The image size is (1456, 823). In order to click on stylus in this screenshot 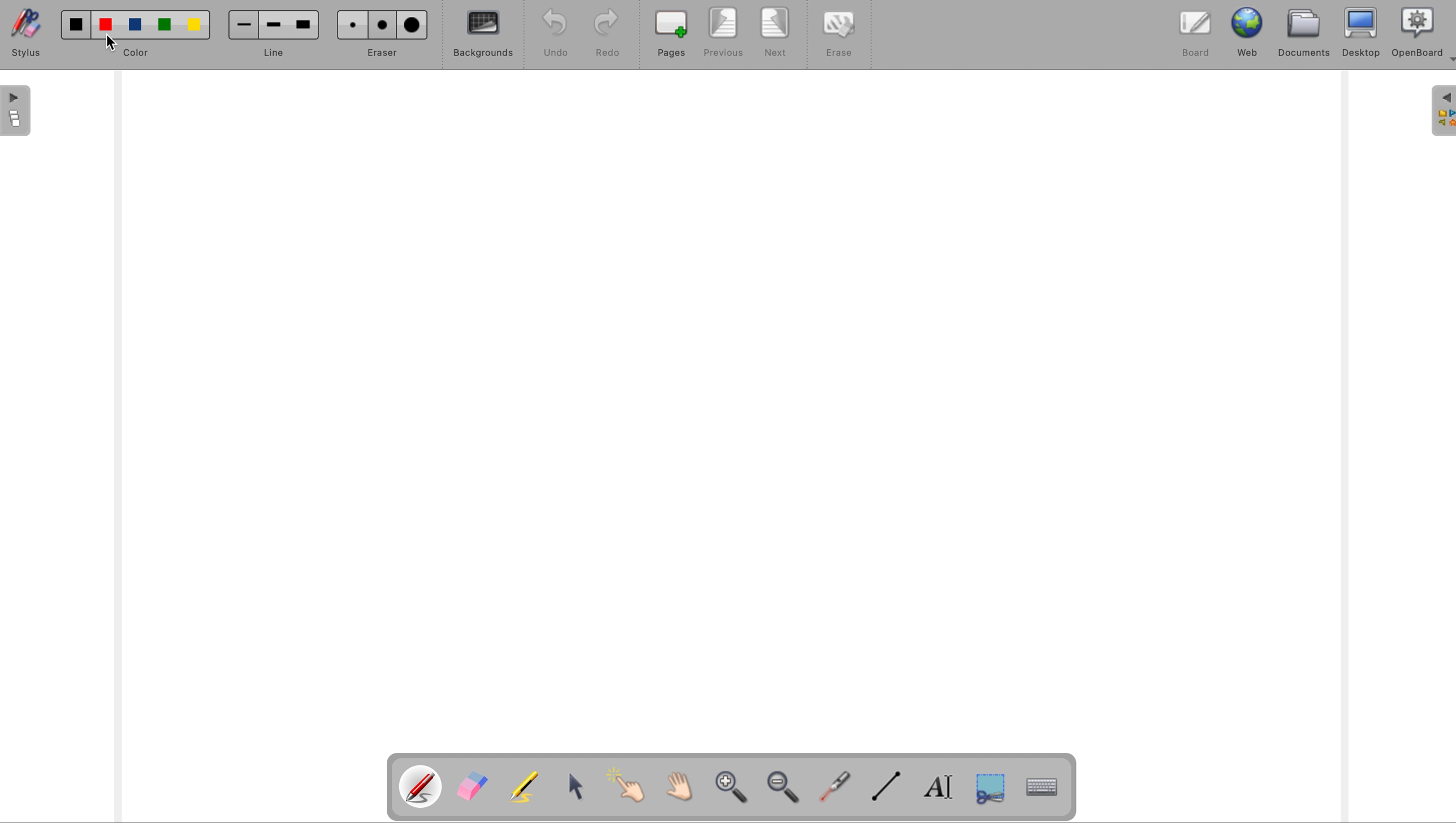, I will do `click(31, 32)`.